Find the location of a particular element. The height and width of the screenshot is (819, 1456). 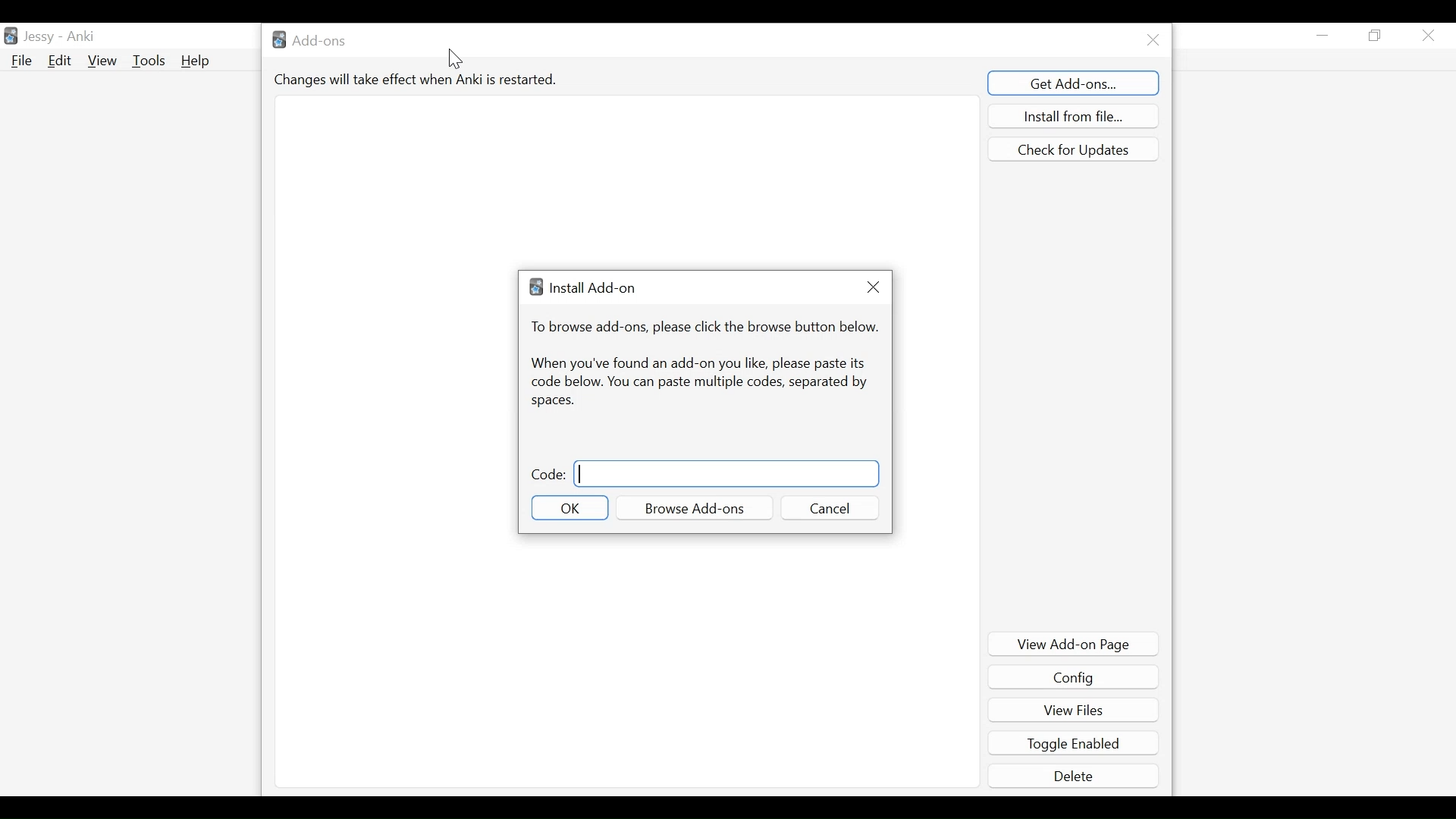

Code Field is located at coordinates (727, 474).